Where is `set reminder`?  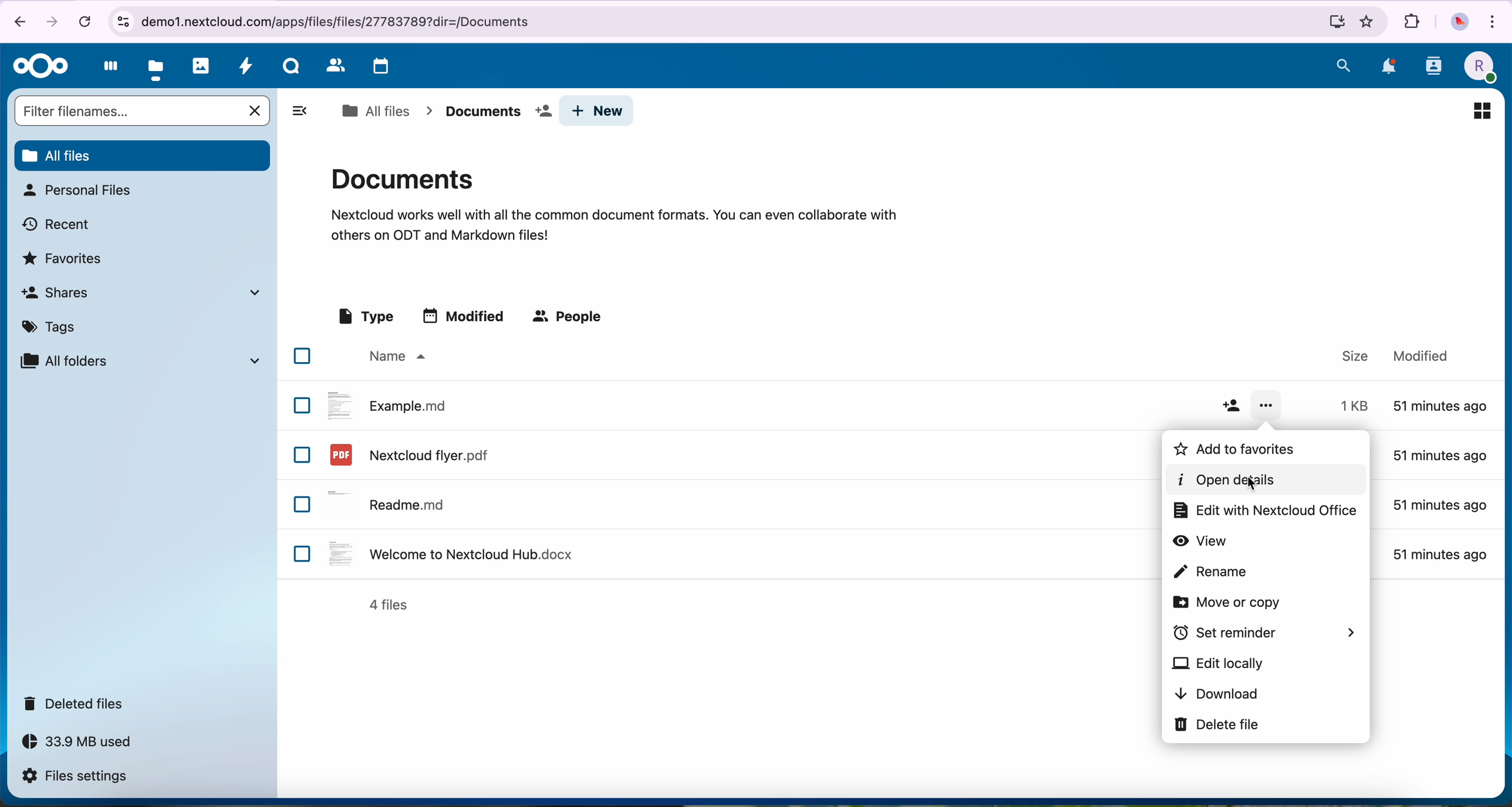 set reminder is located at coordinates (1265, 632).